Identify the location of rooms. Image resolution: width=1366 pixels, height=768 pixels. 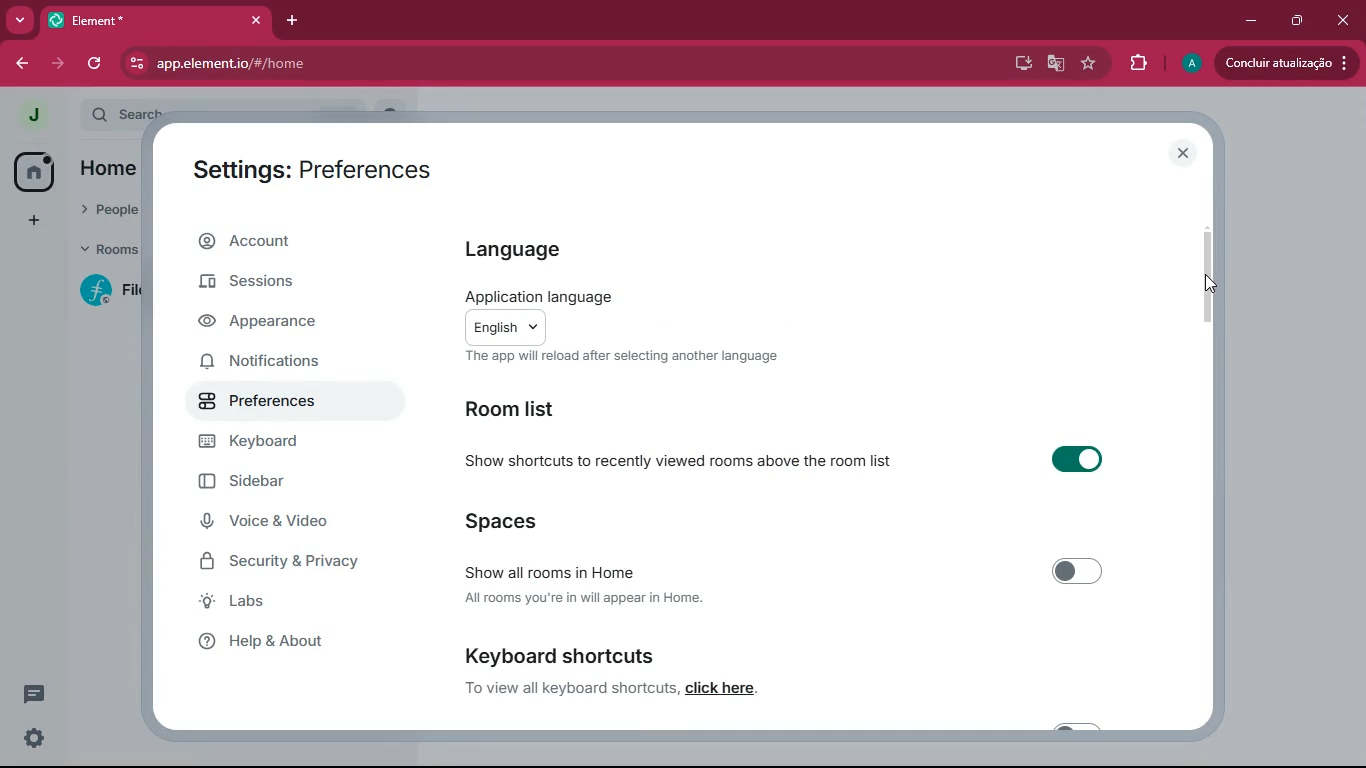
(102, 251).